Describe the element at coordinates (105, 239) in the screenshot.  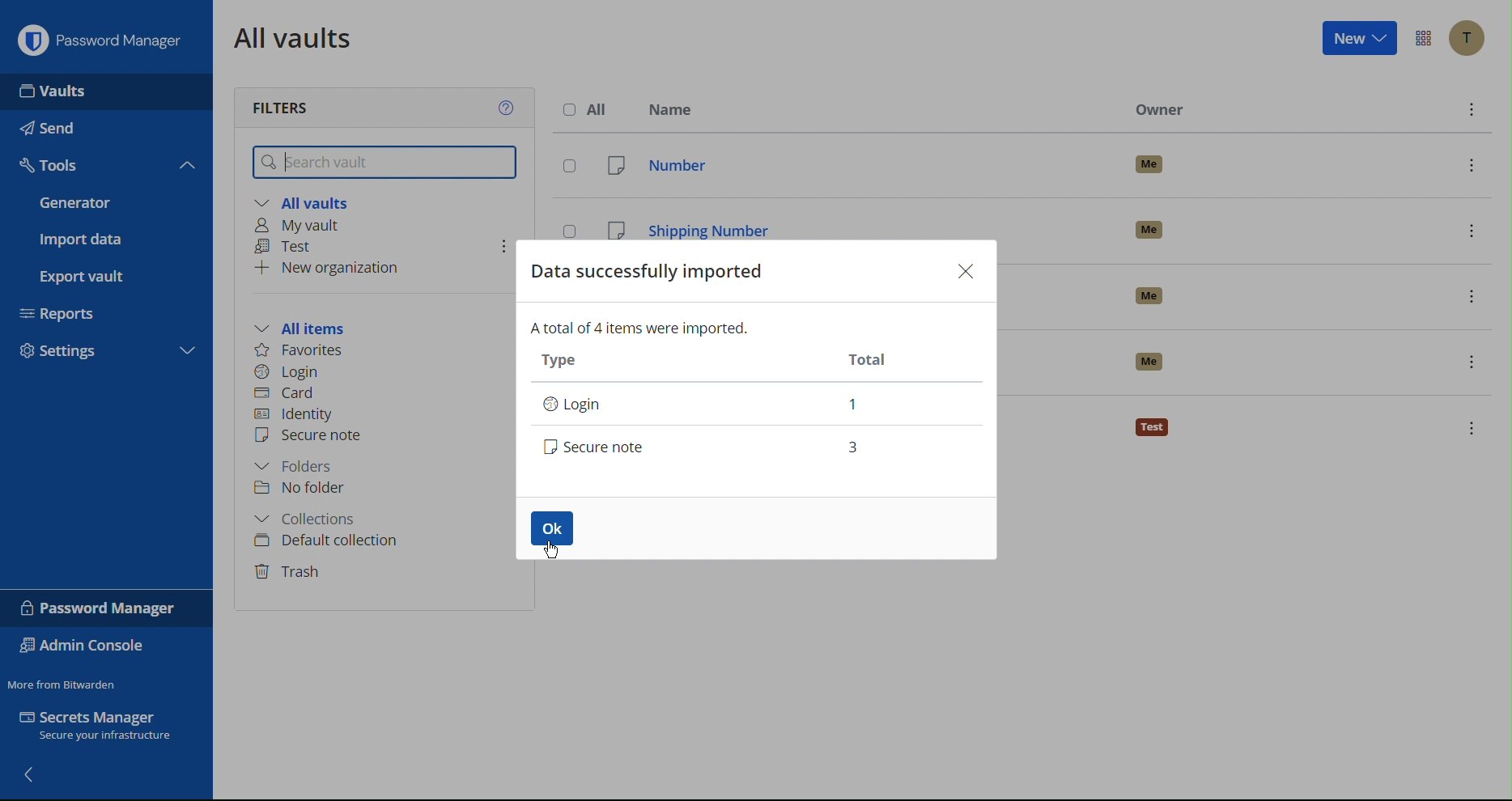
I see `Import data` at that location.